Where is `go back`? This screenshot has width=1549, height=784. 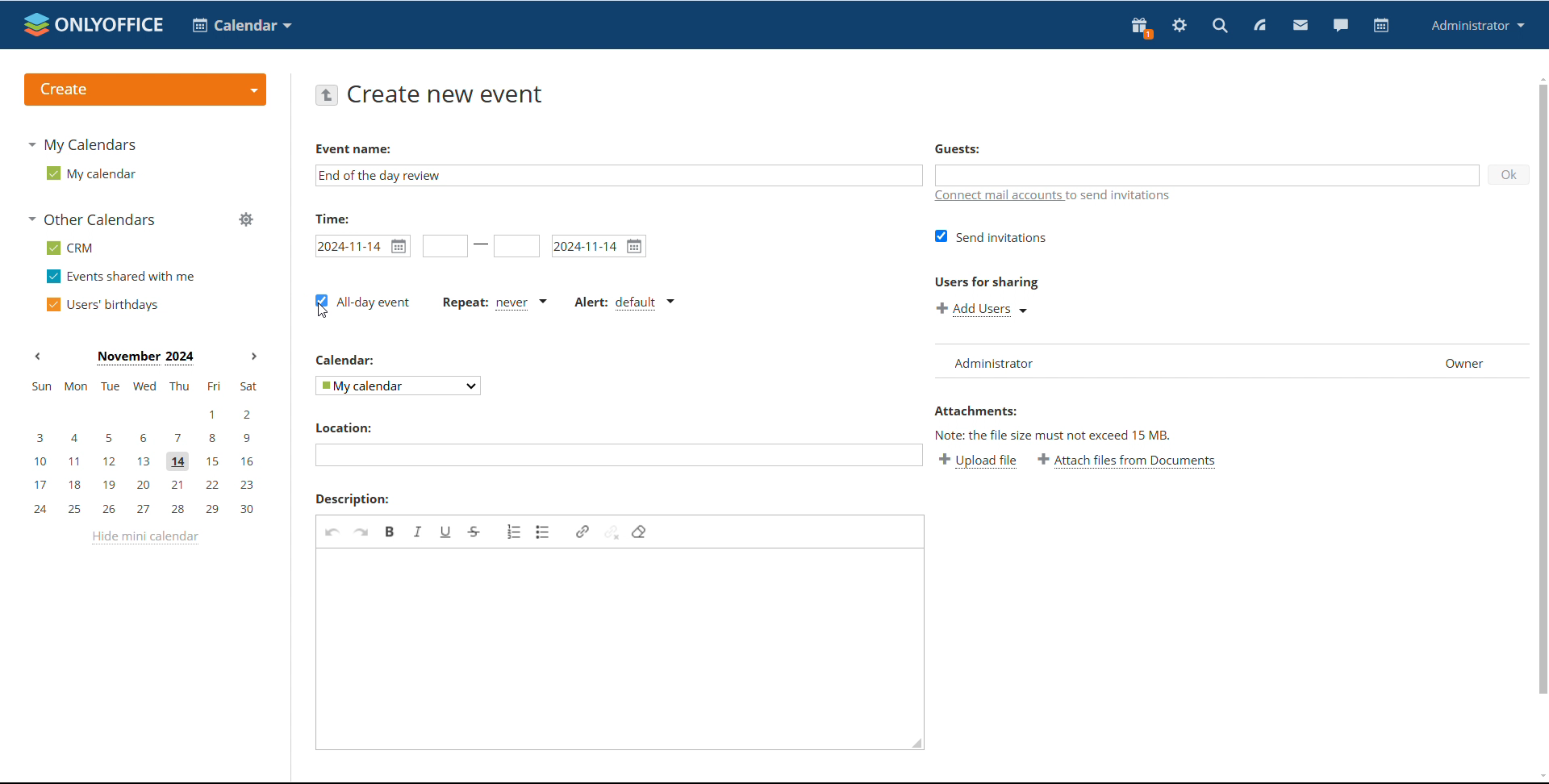 go back is located at coordinates (326, 94).